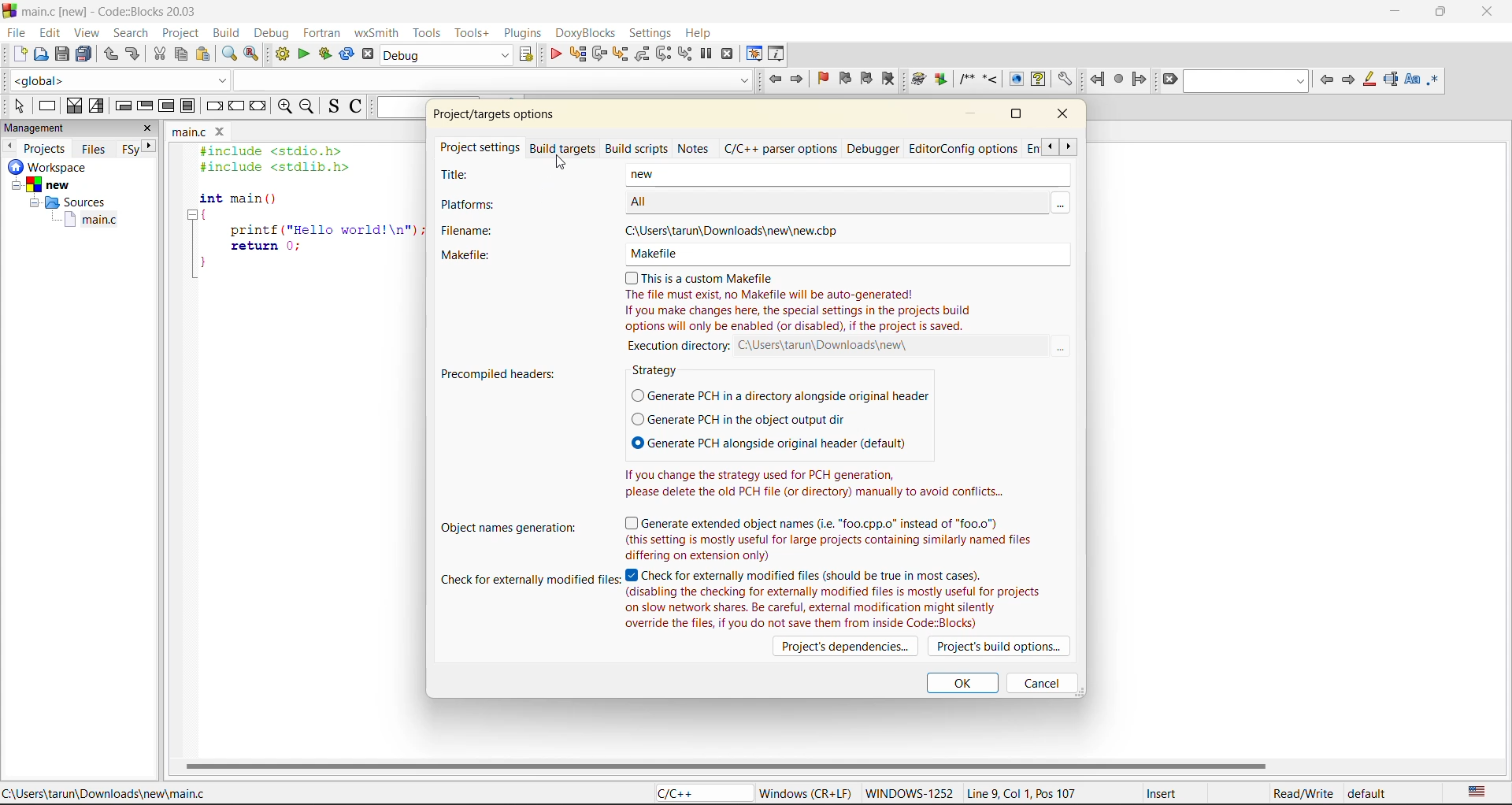  I want to click on close, so click(146, 129).